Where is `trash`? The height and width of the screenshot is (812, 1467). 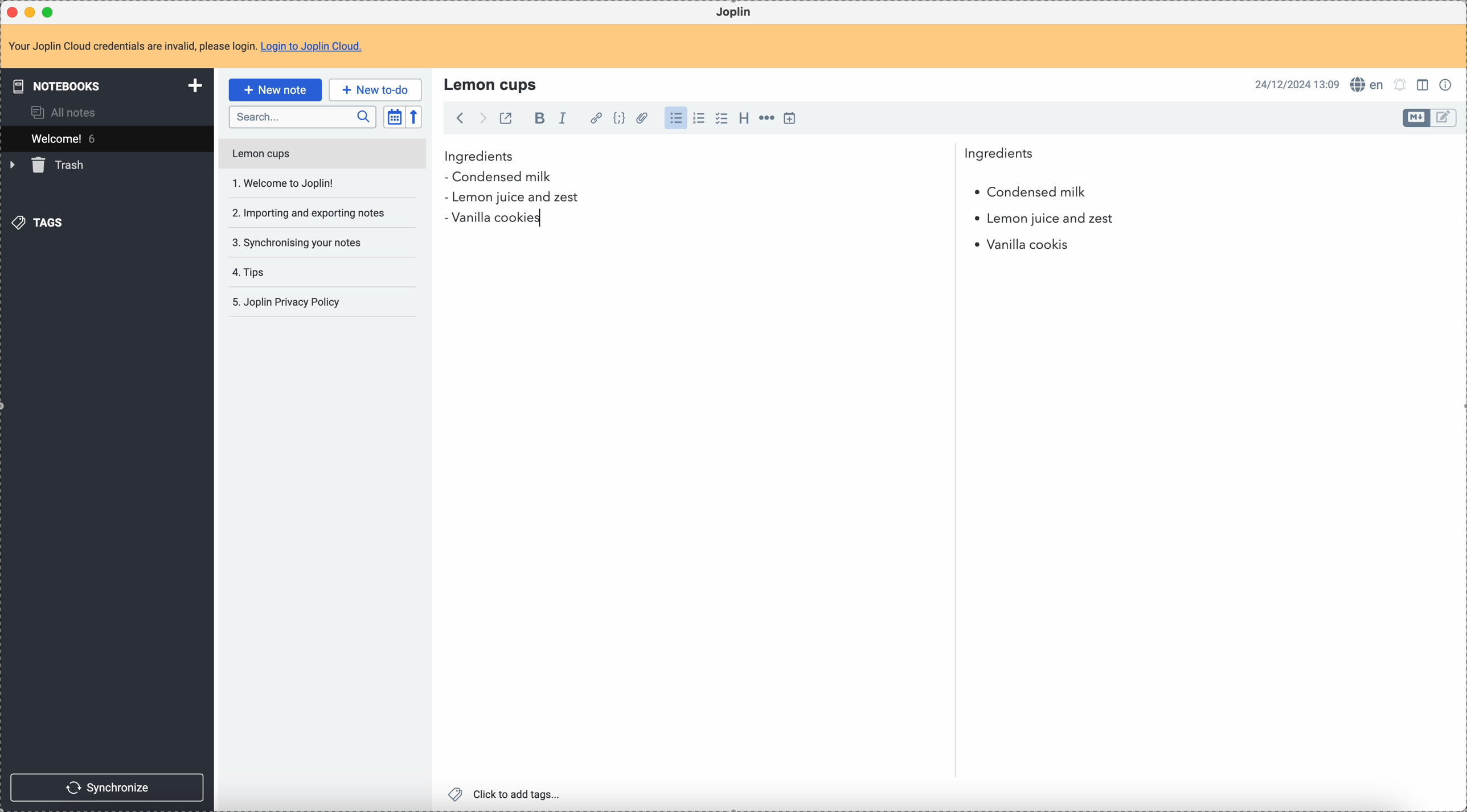
trash is located at coordinates (49, 165).